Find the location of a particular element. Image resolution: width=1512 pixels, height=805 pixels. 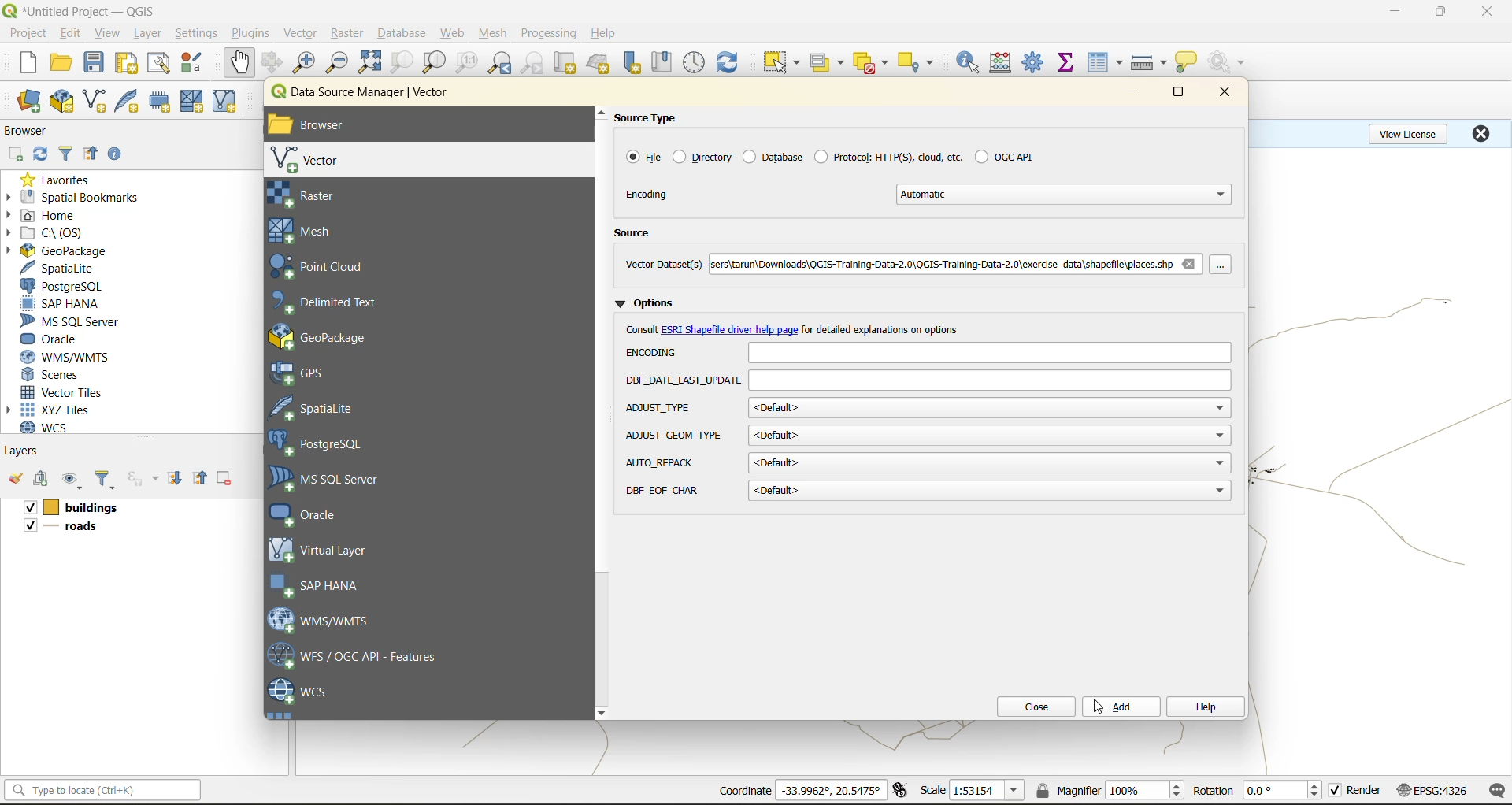

save is located at coordinates (98, 63).